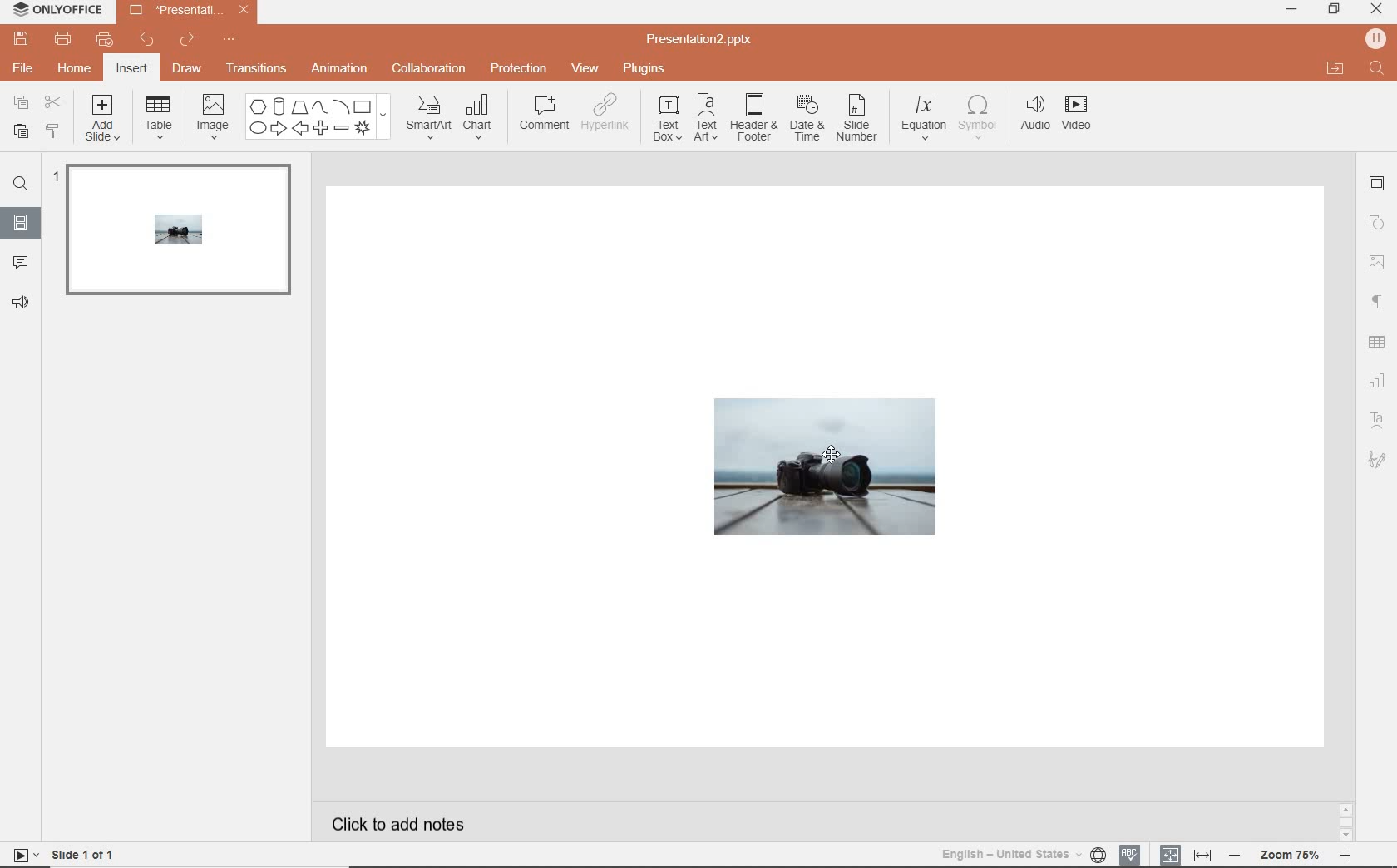  I want to click on slides, so click(20, 223).